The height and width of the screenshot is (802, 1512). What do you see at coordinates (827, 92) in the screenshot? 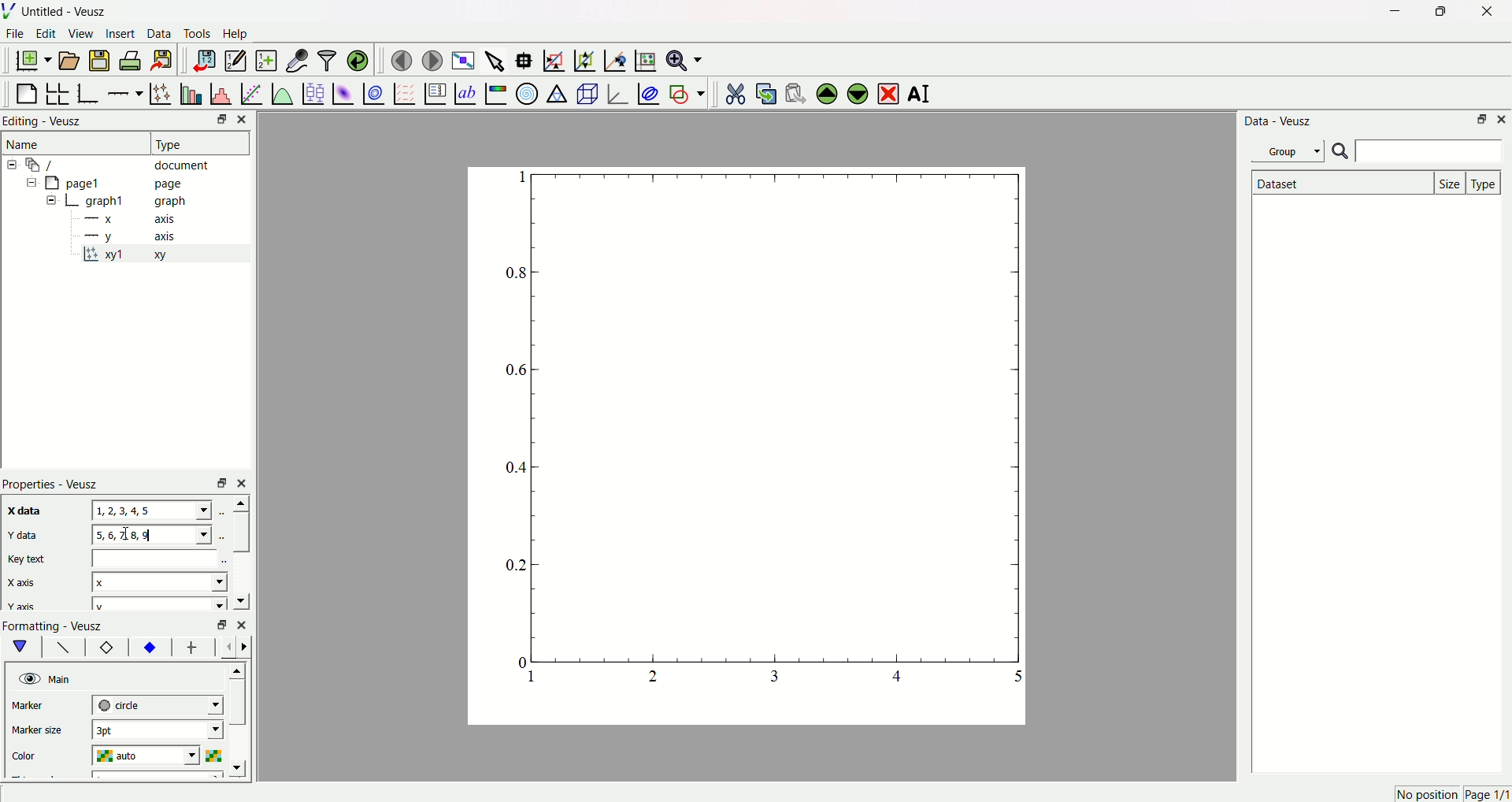
I see `move the widgets up` at bounding box center [827, 92].